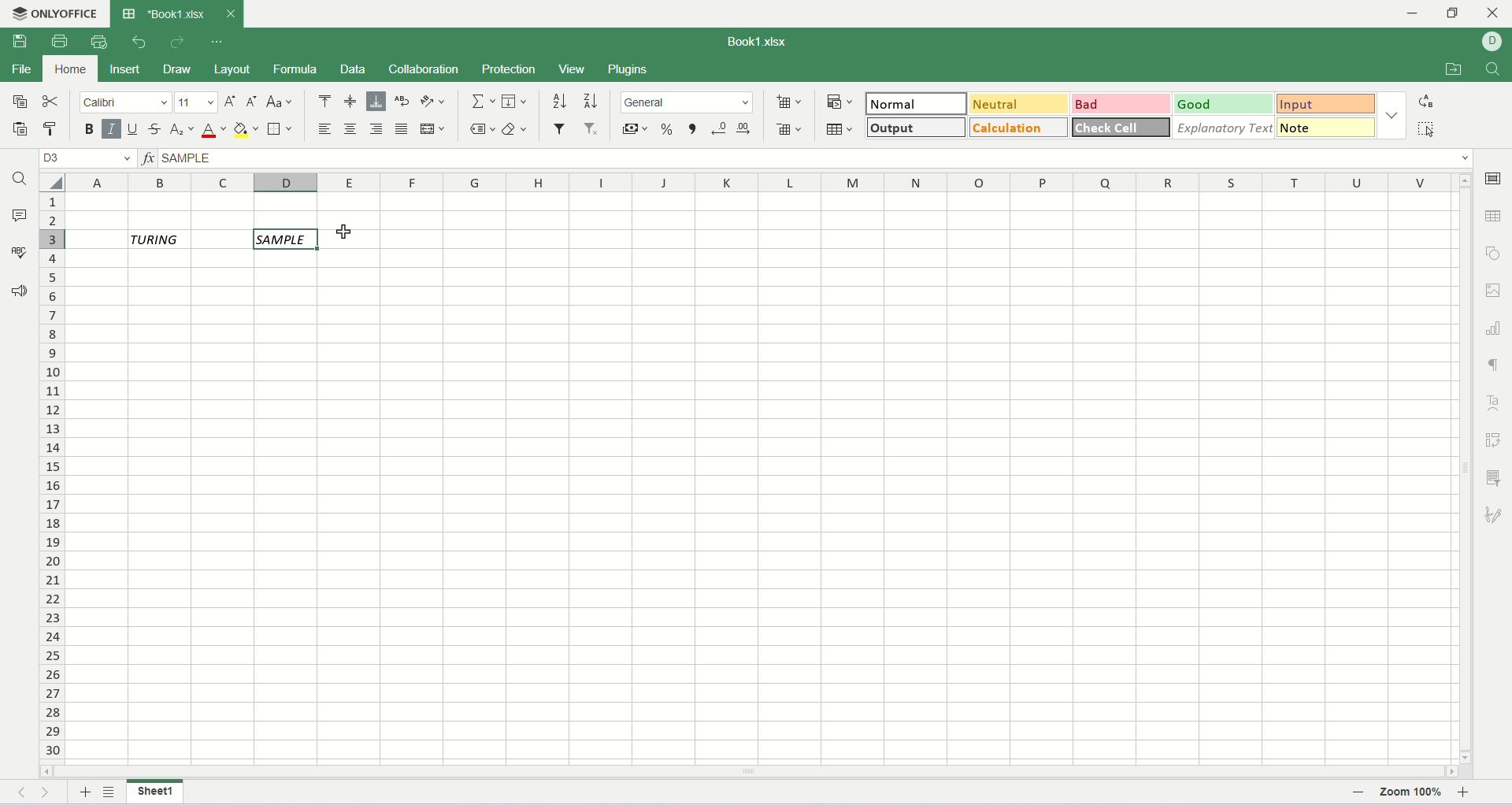 This screenshot has height=805, width=1512. Describe the element at coordinates (720, 130) in the screenshot. I see `decrease decimal` at that location.